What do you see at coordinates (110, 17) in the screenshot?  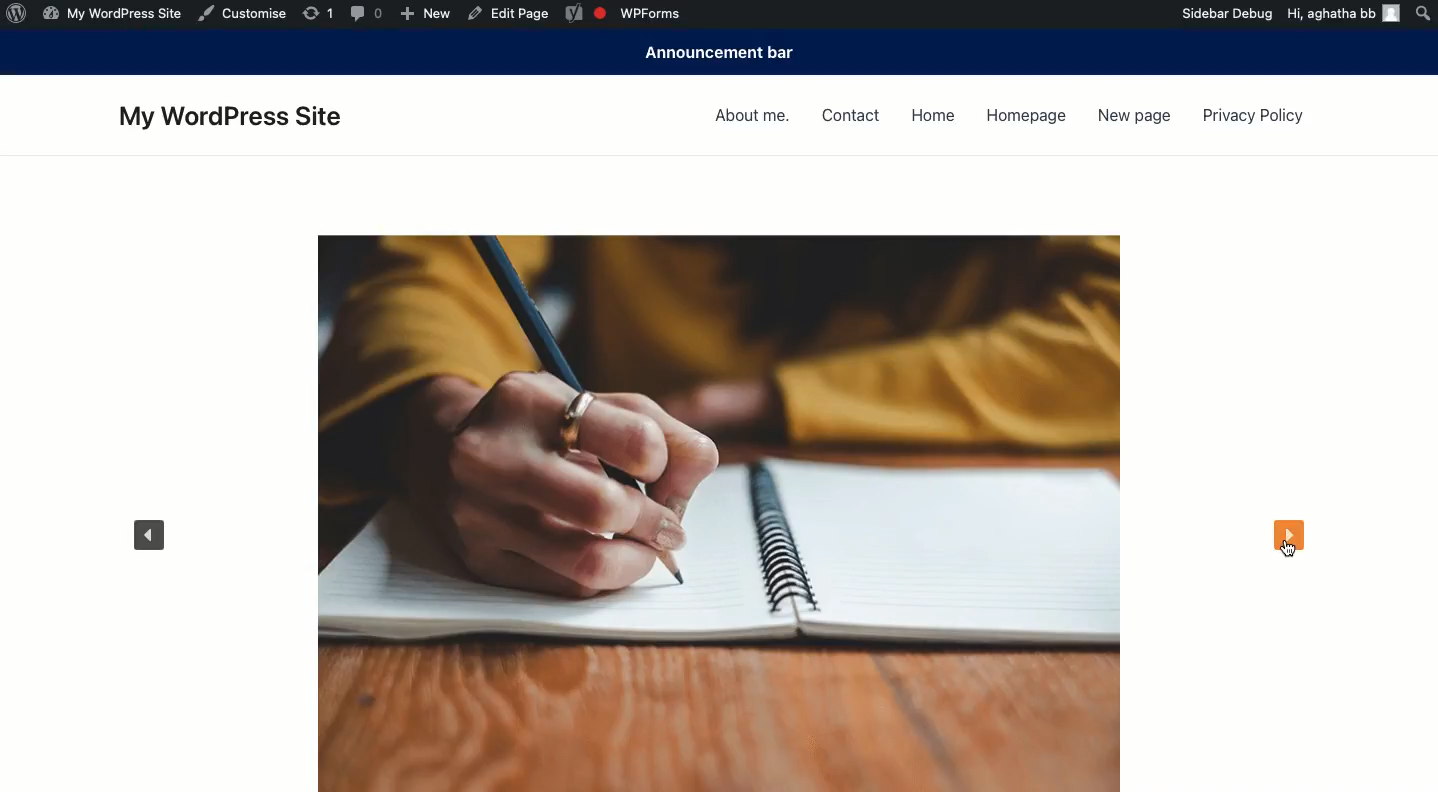 I see `my wordpress site` at bounding box center [110, 17].